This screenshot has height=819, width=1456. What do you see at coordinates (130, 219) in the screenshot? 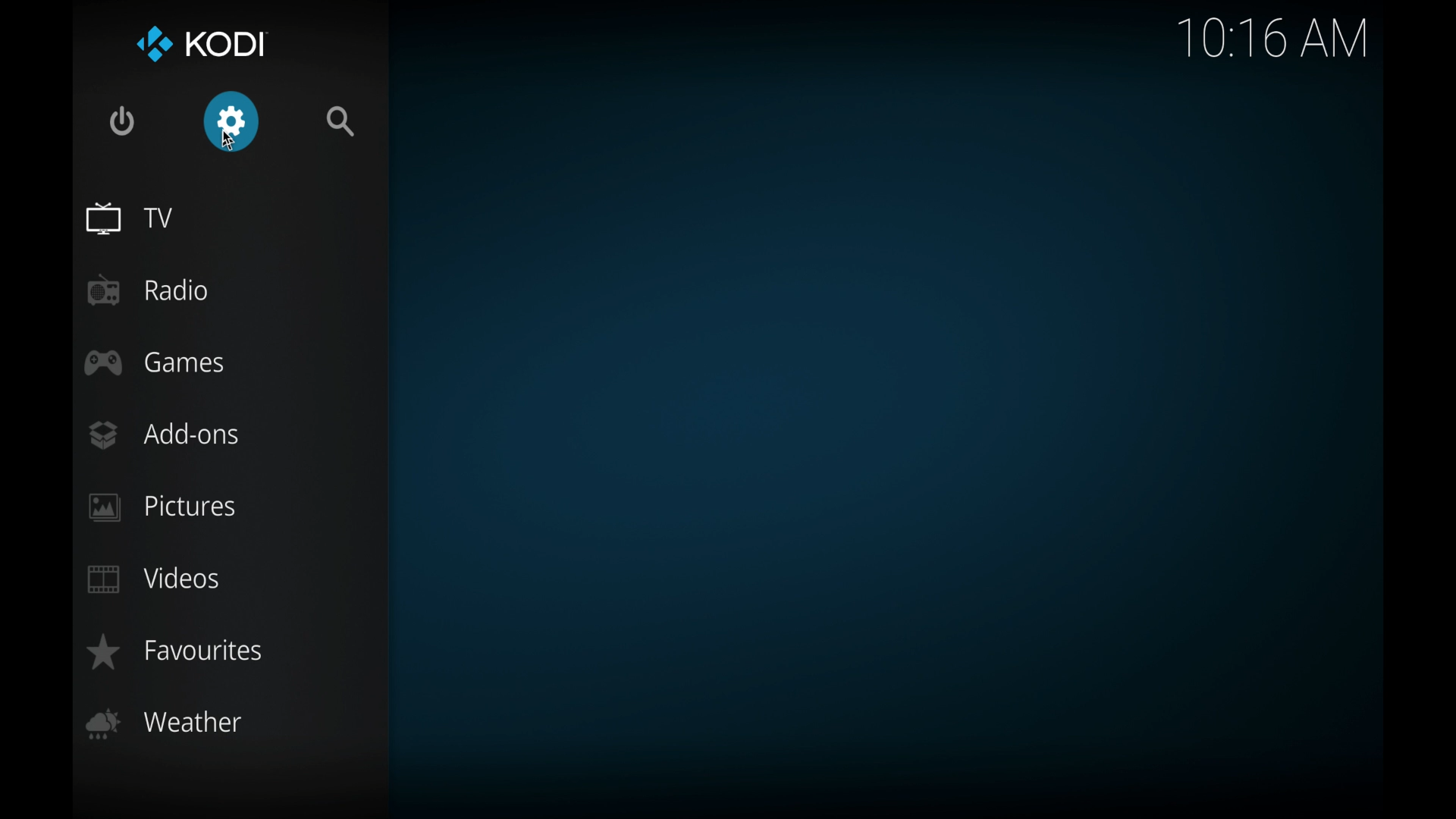
I see `Tv` at bounding box center [130, 219].